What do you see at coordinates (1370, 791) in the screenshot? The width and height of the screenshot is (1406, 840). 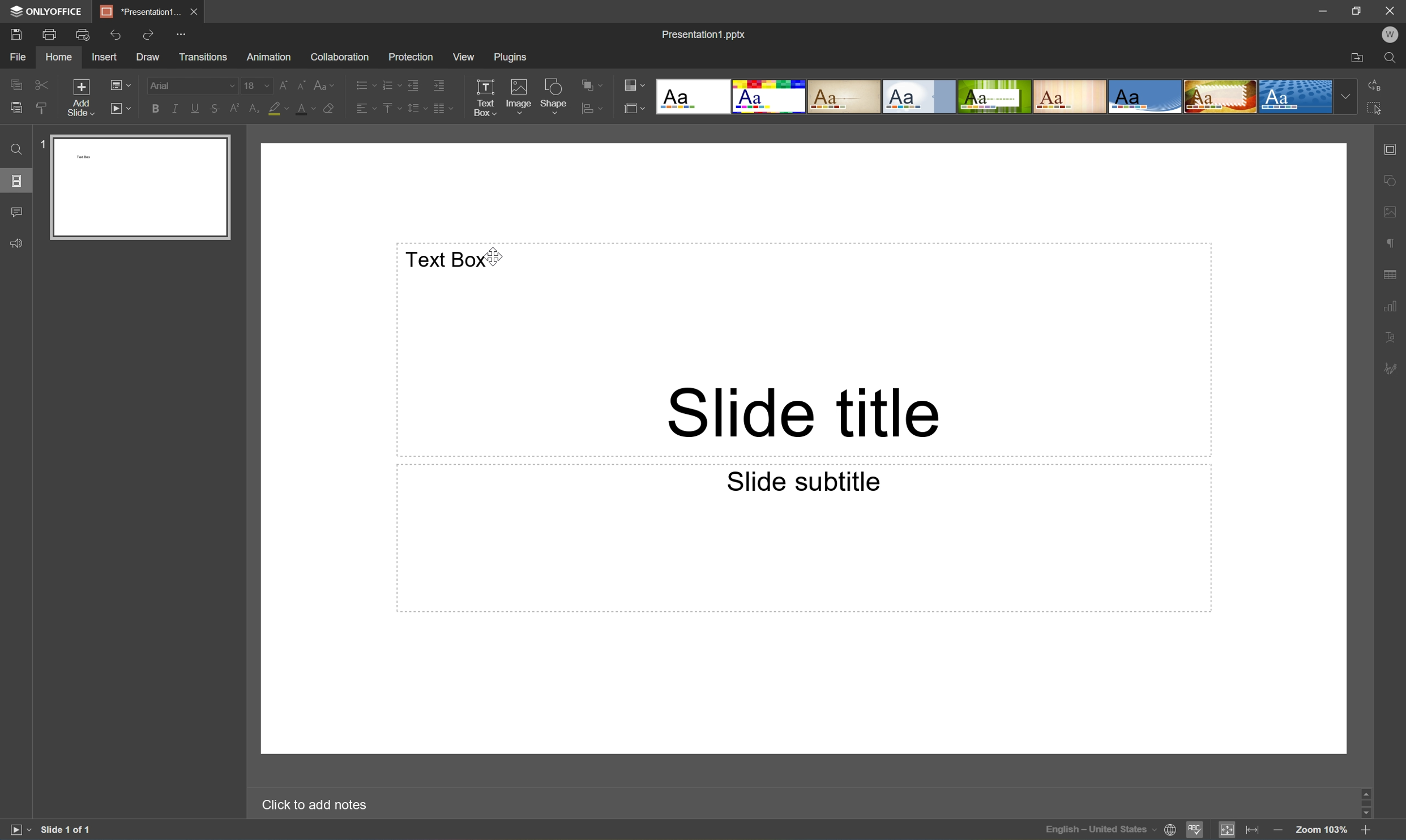 I see `Scroll Up` at bounding box center [1370, 791].